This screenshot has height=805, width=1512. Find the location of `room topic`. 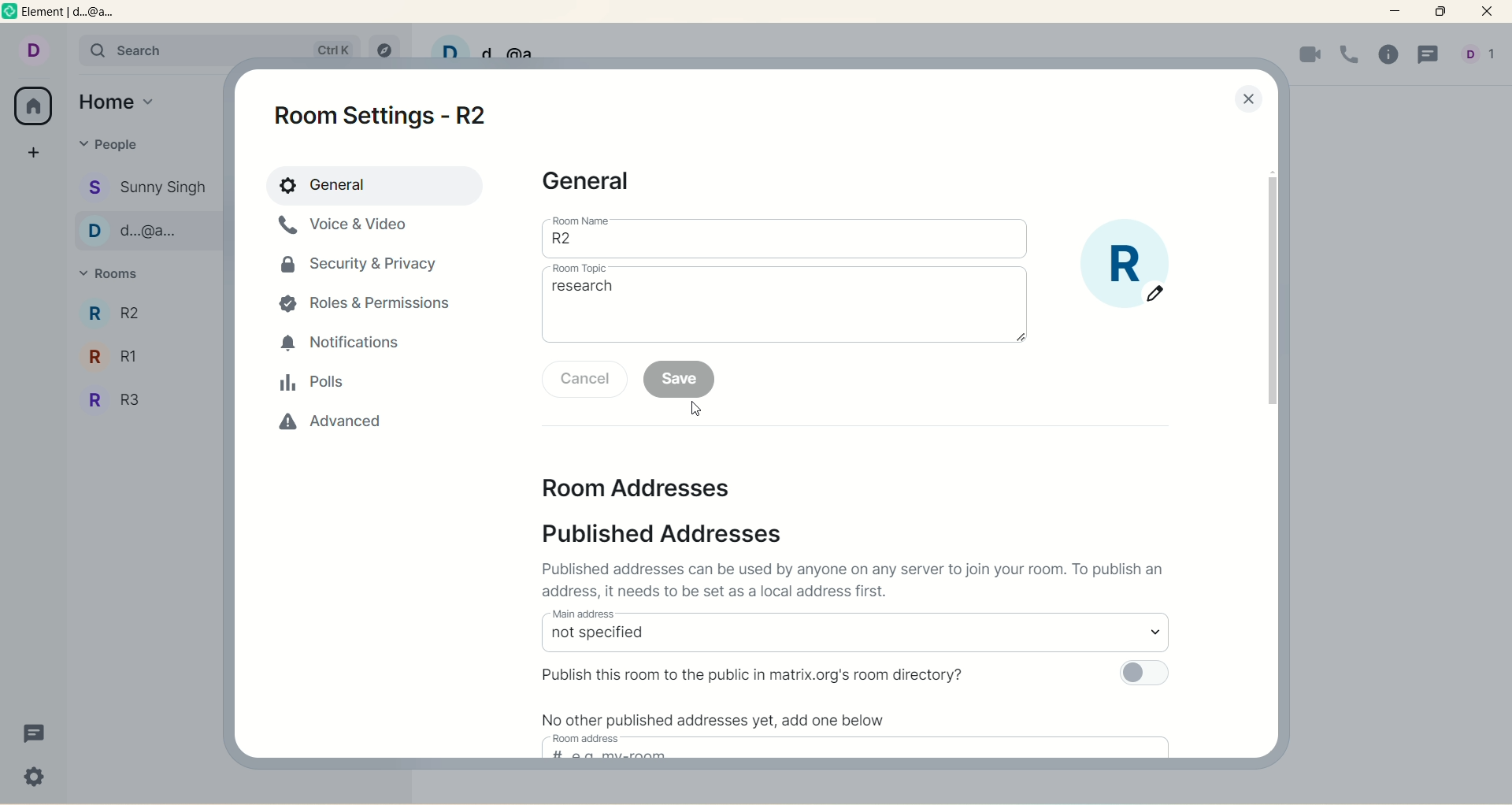

room topic is located at coordinates (580, 269).